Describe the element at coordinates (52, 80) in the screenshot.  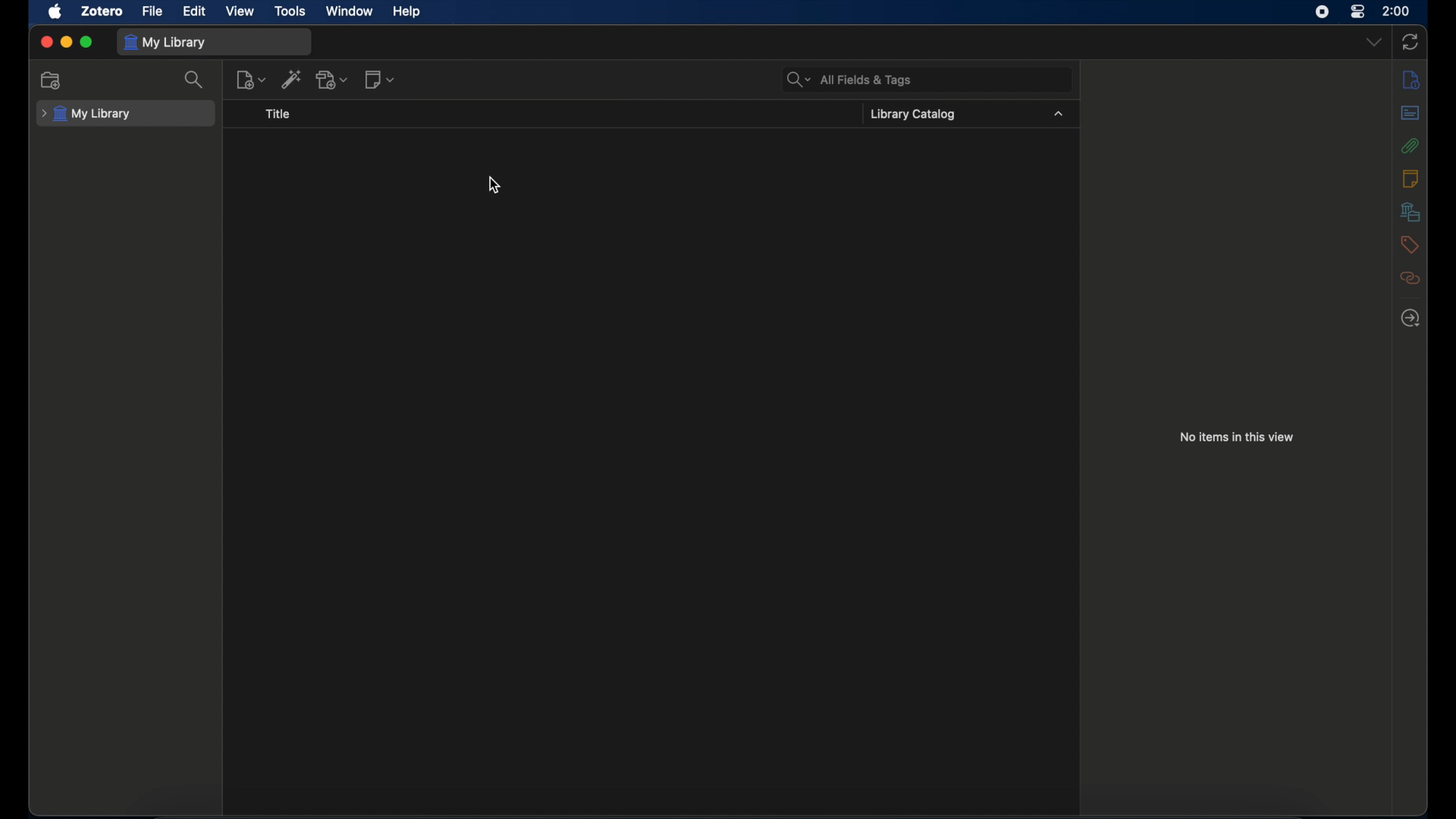
I see `new collection` at that location.